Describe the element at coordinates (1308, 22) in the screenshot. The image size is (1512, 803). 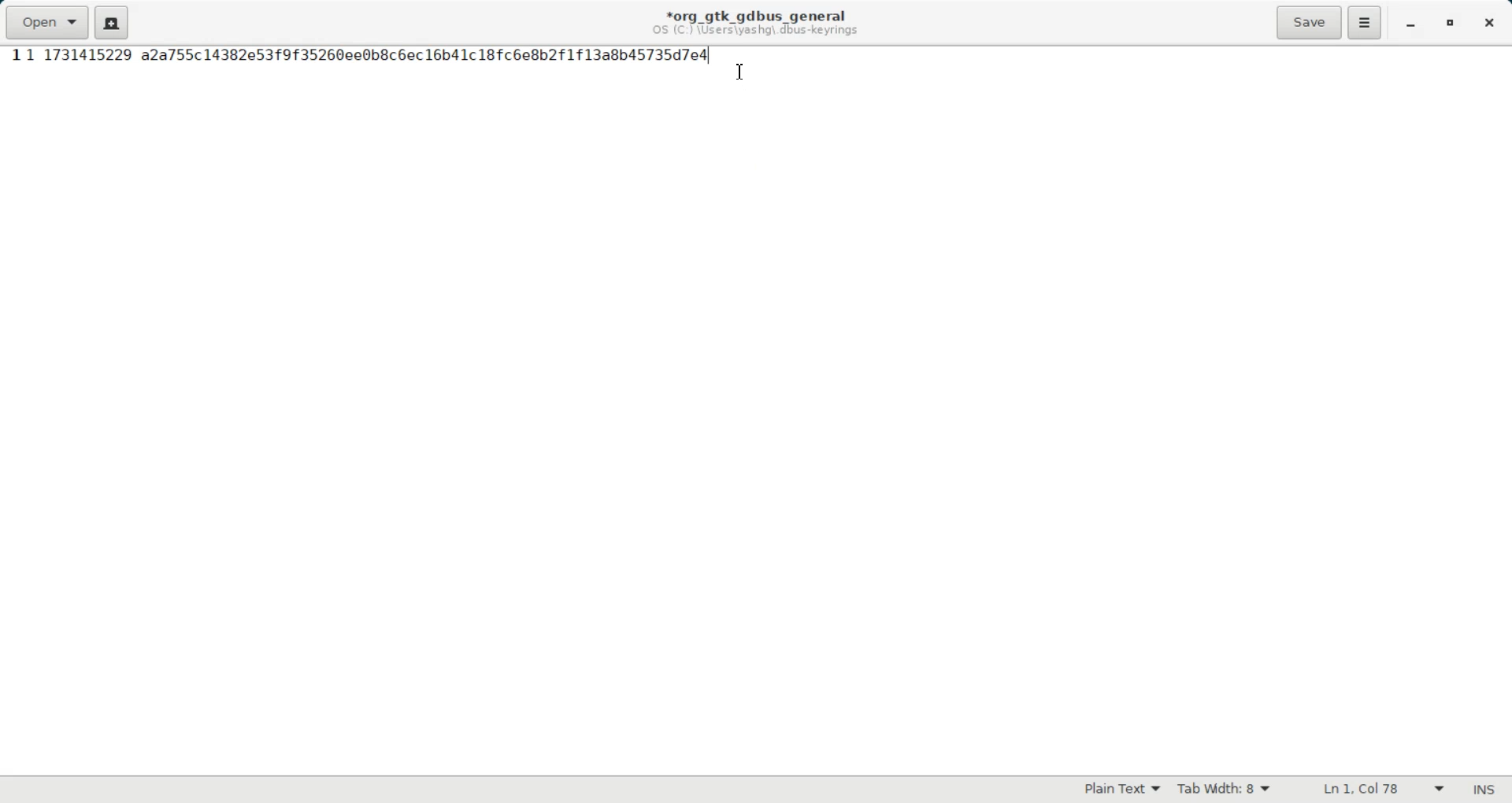
I see `Save` at that location.